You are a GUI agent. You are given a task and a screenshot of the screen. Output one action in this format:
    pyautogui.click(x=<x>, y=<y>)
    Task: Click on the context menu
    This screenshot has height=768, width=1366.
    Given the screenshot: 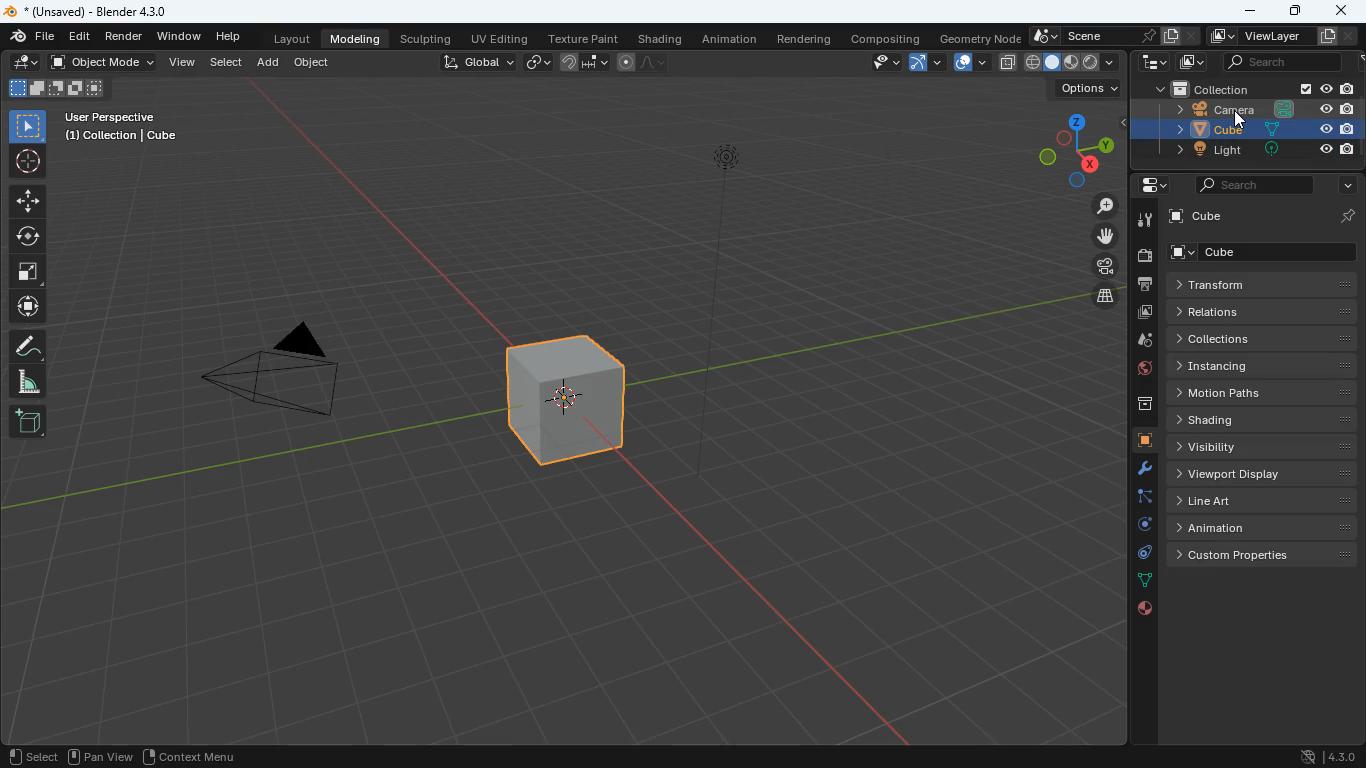 What is the action you would take?
    pyautogui.click(x=200, y=756)
    